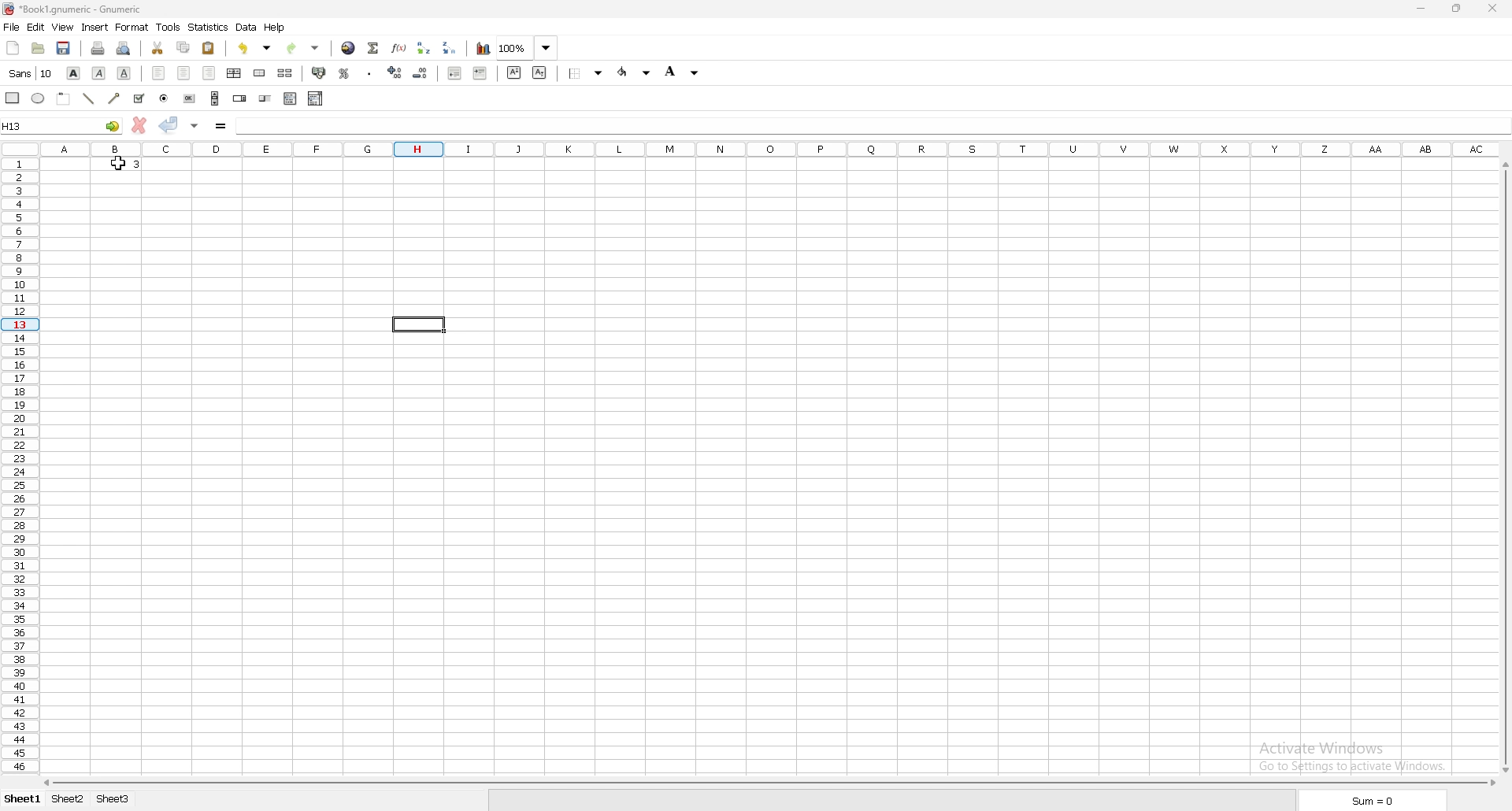  What do you see at coordinates (124, 48) in the screenshot?
I see `print preview` at bounding box center [124, 48].